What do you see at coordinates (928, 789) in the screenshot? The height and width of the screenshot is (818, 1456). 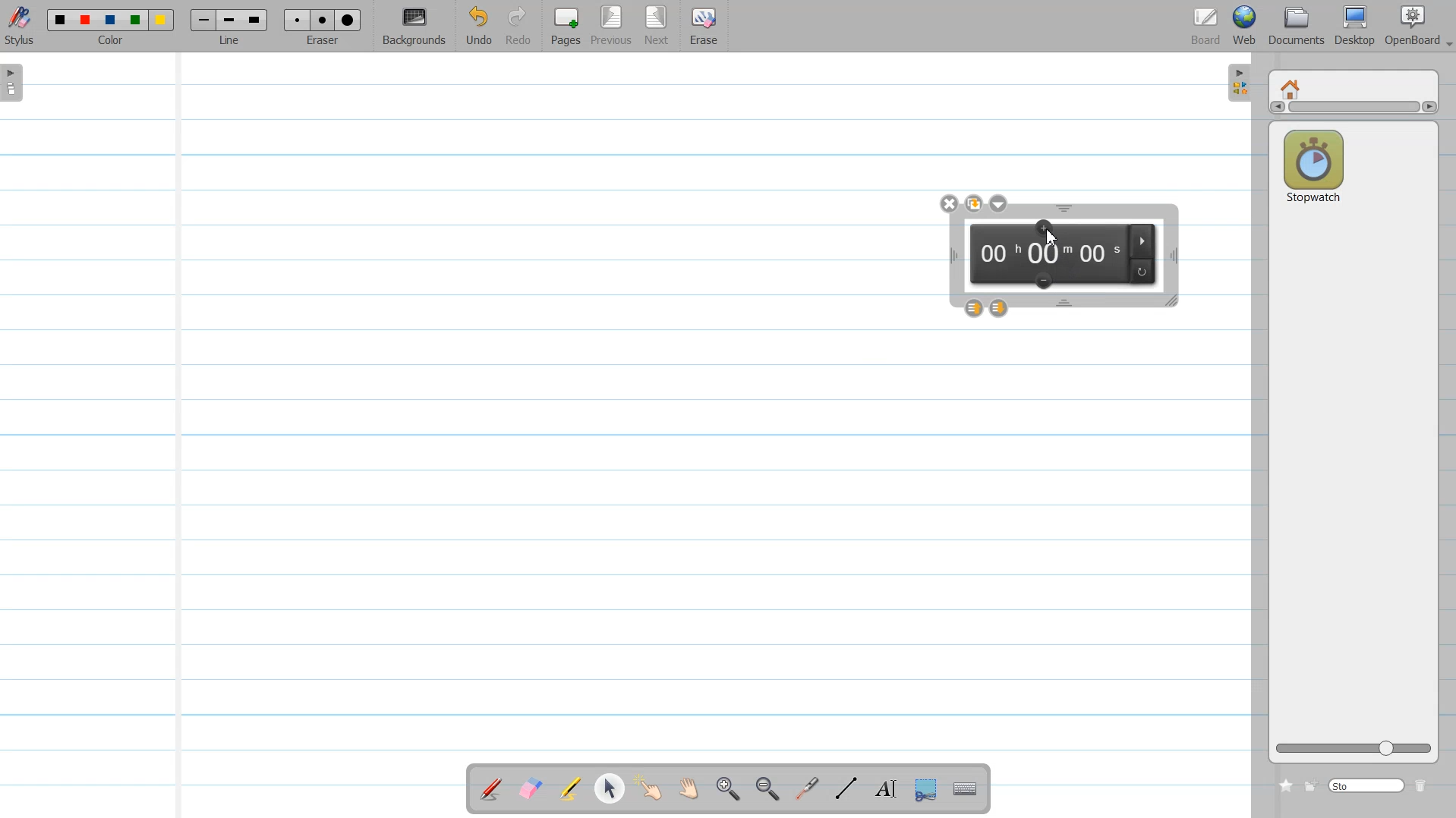 I see `Capture part of the Screen` at bounding box center [928, 789].